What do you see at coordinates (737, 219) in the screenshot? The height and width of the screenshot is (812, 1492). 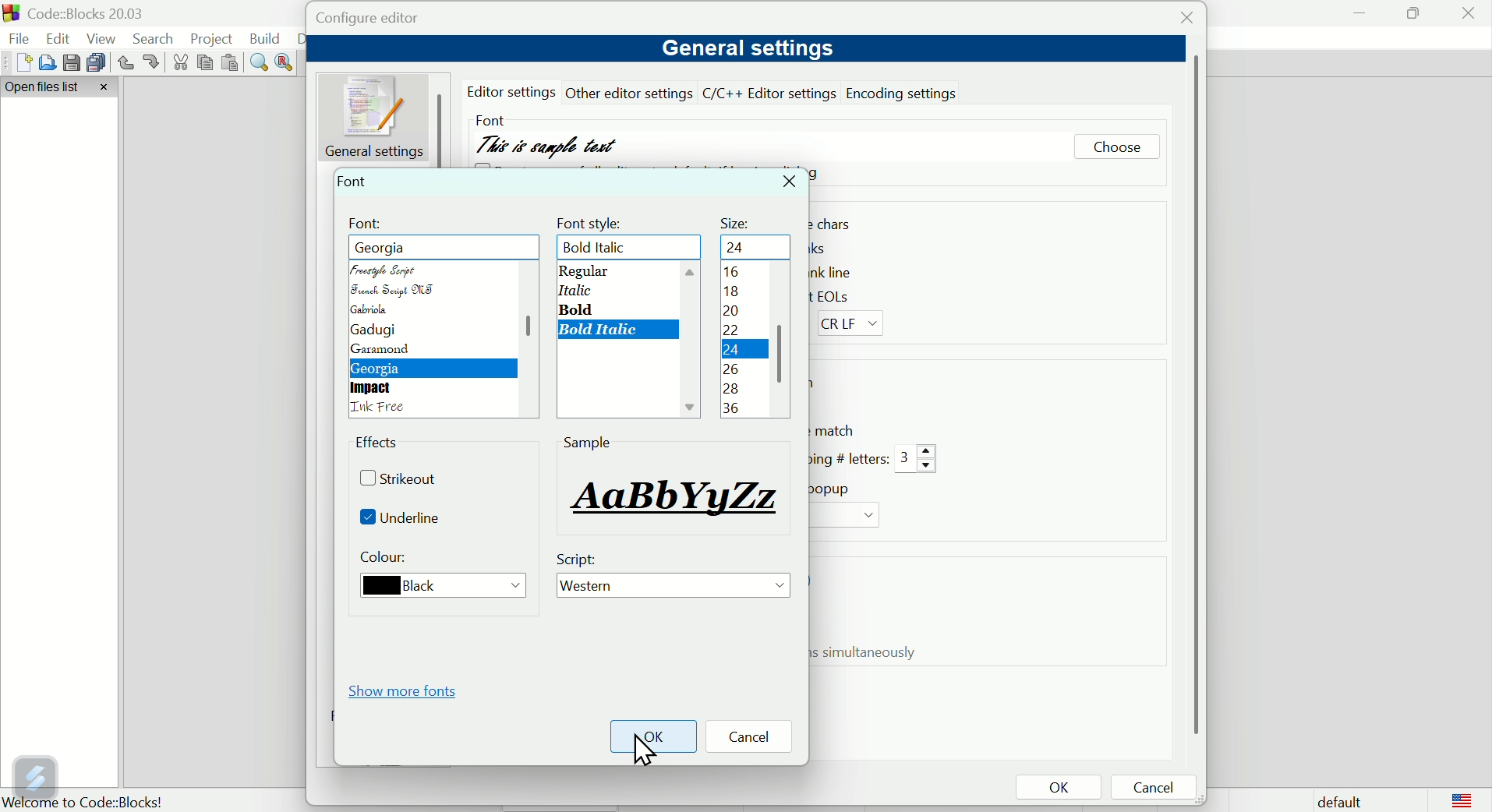 I see `Size` at bounding box center [737, 219].